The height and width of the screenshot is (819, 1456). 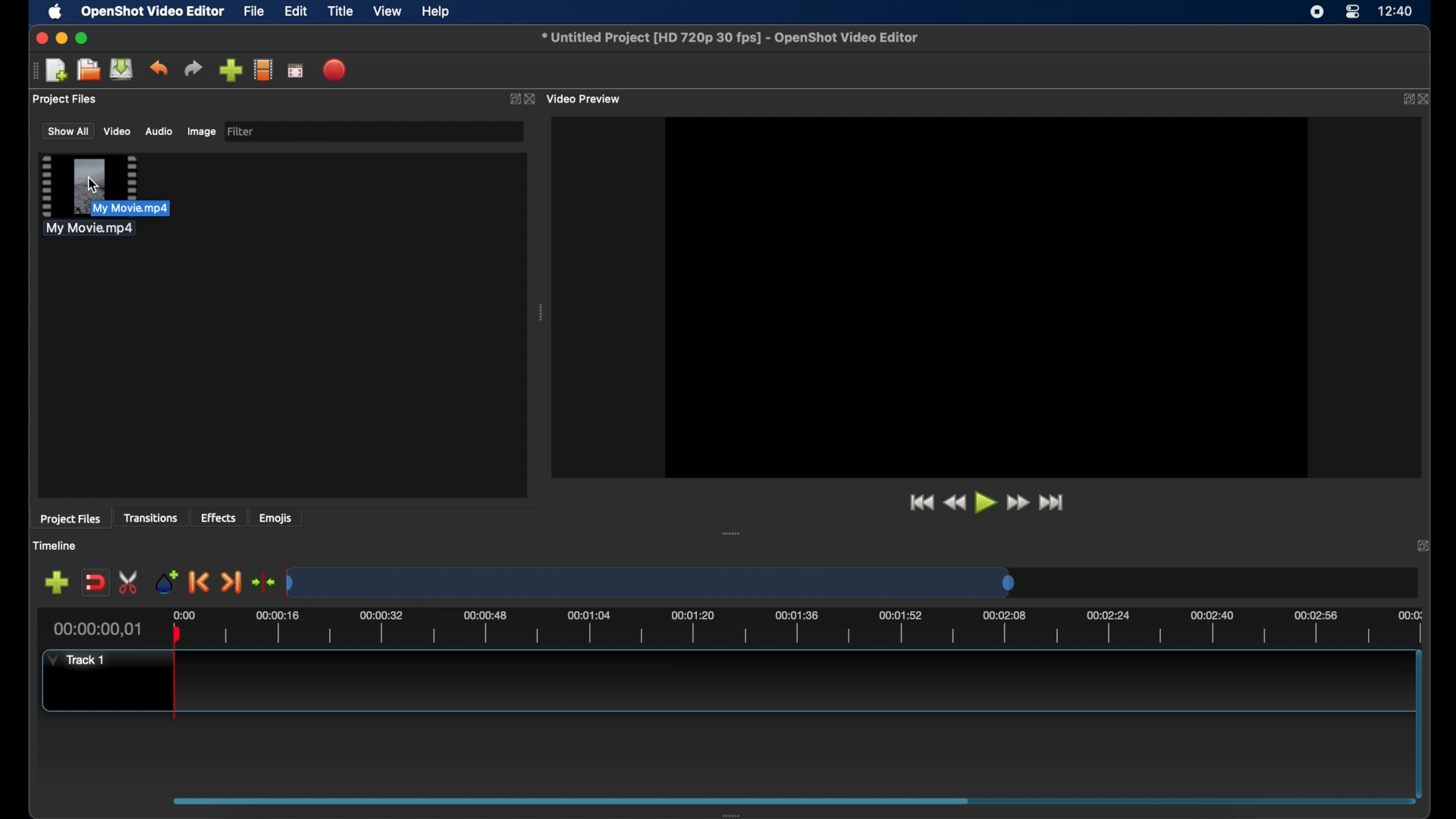 I want to click on close, so click(x=39, y=38).